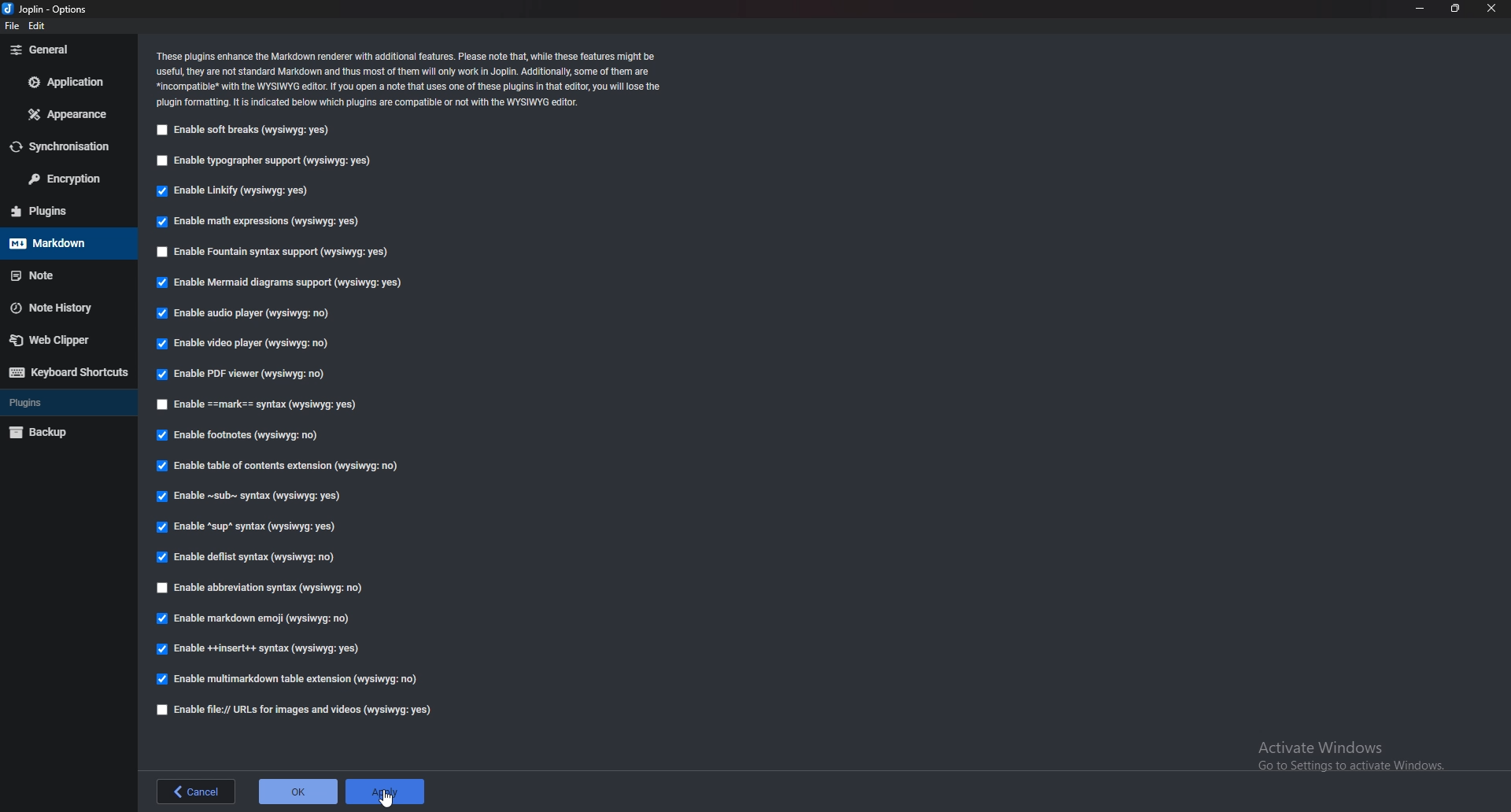 This screenshot has height=812, width=1511. What do you see at coordinates (38, 25) in the screenshot?
I see `edit` at bounding box center [38, 25].